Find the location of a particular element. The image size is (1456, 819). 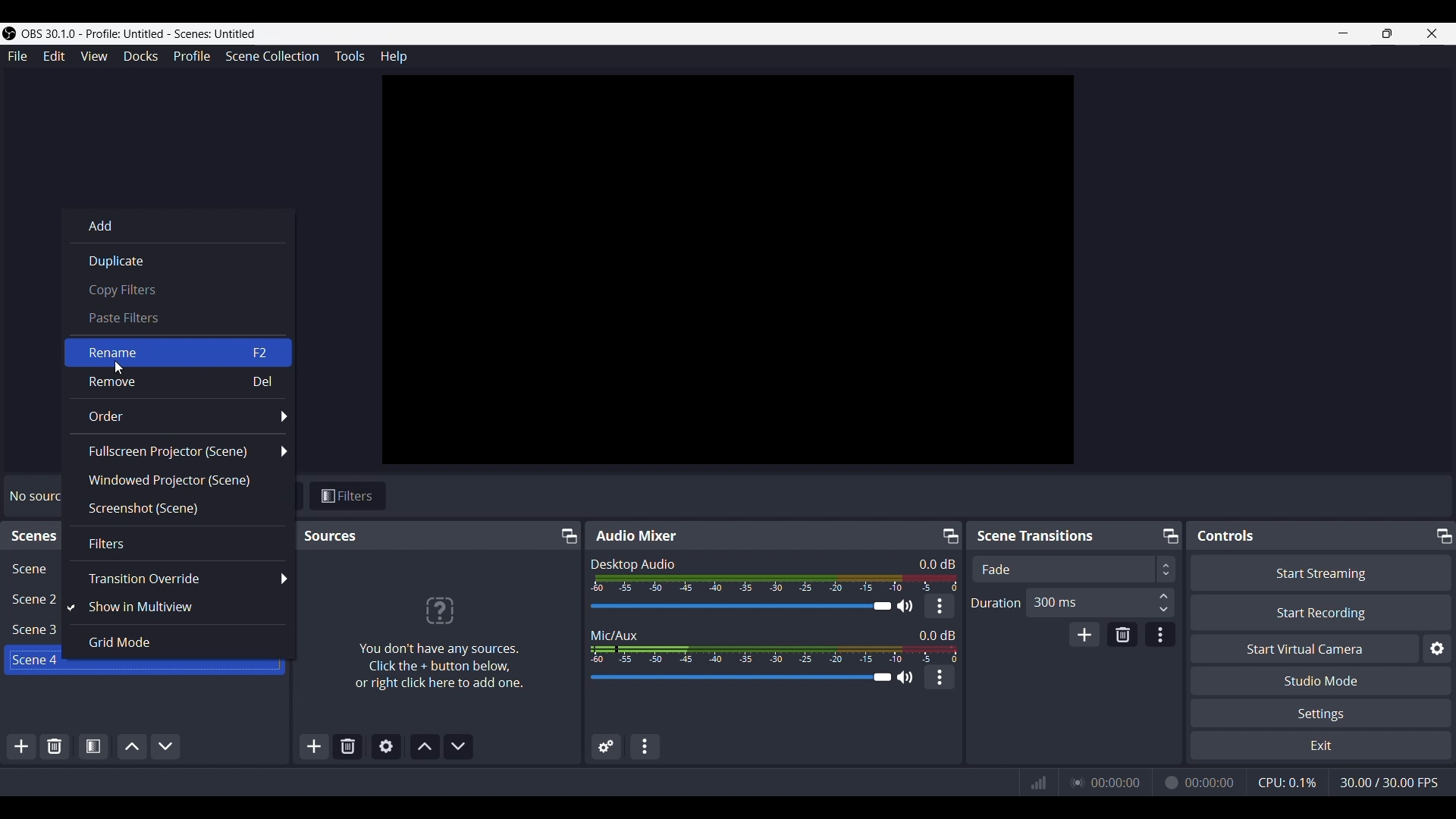

Remove transition is located at coordinates (1121, 635).